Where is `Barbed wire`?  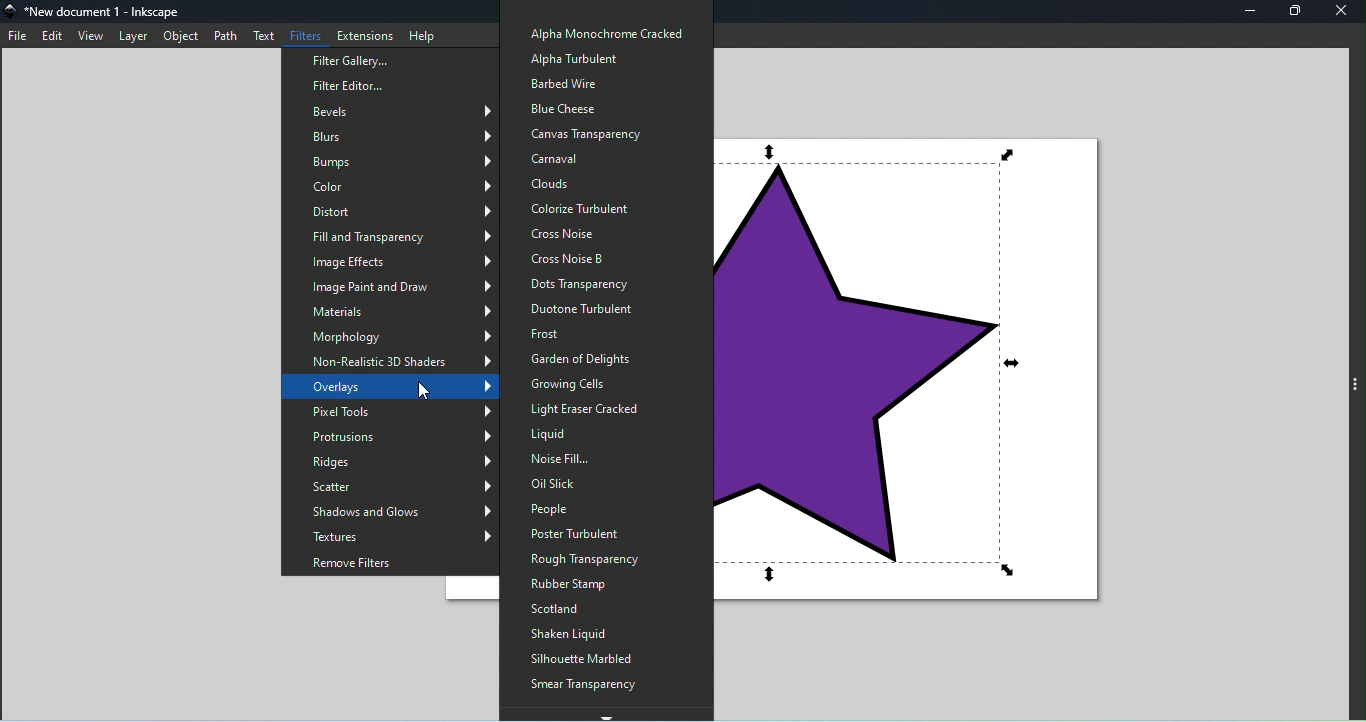 Barbed wire is located at coordinates (565, 81).